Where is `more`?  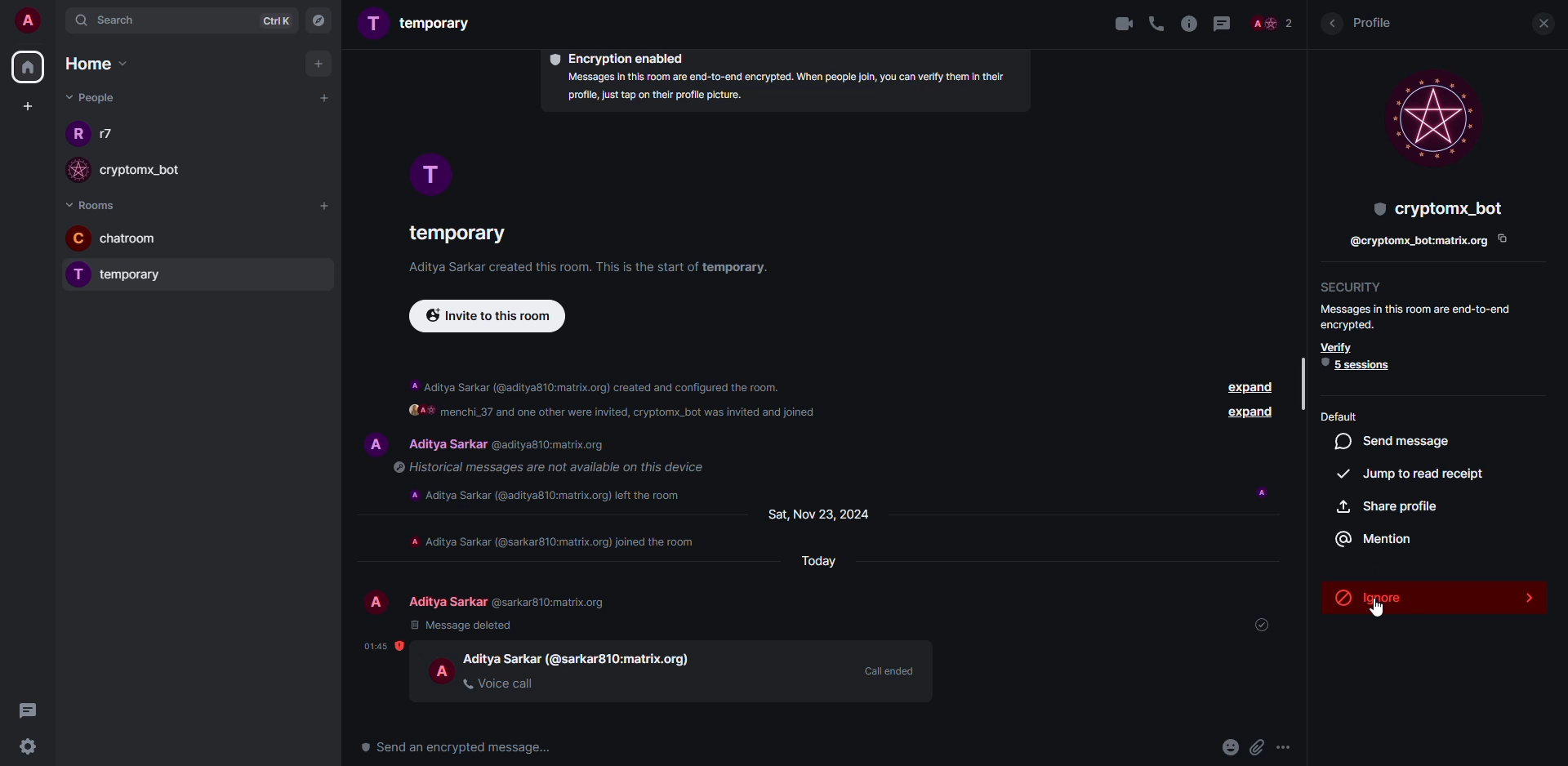 more is located at coordinates (1290, 746).